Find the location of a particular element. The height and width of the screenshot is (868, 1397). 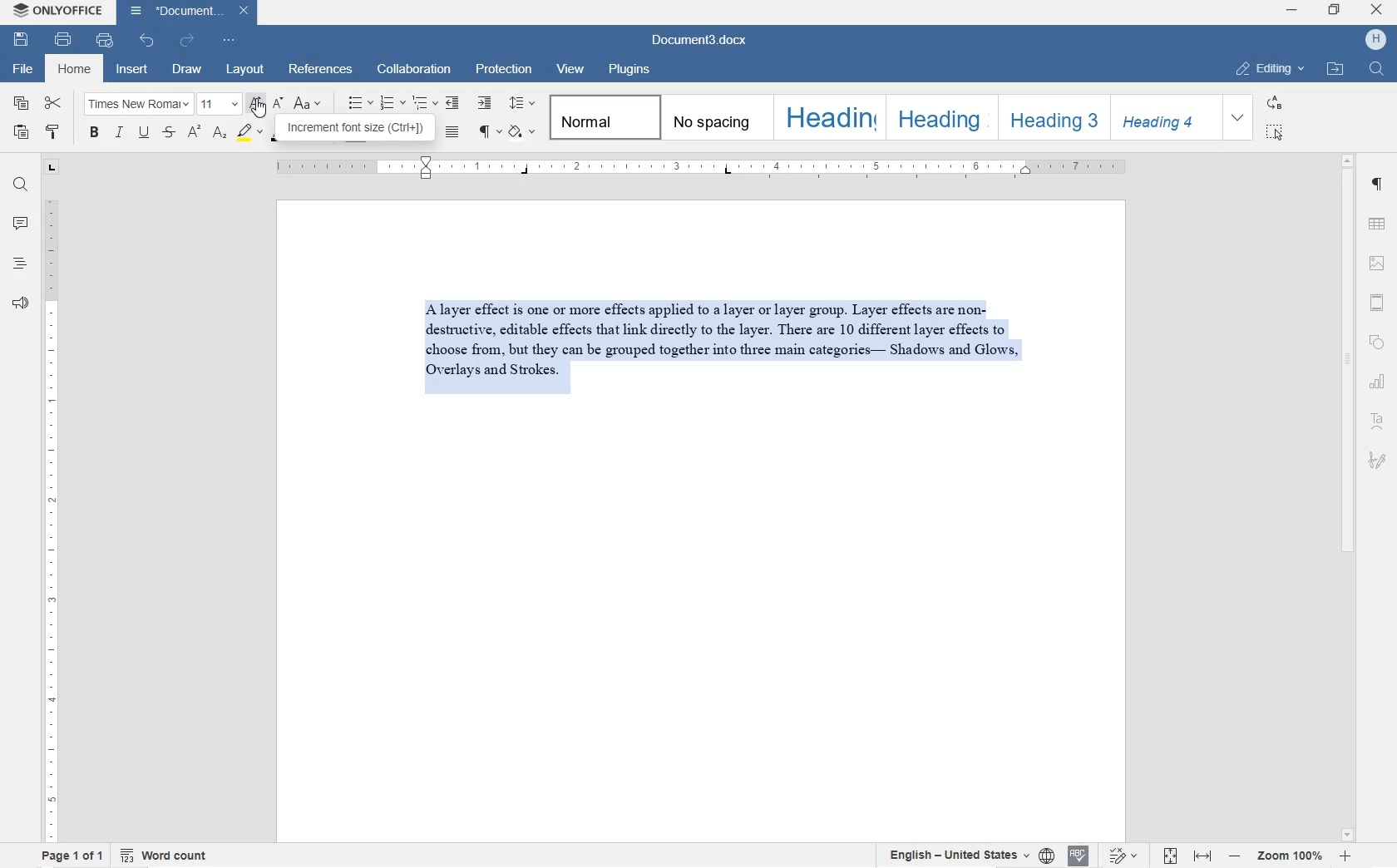

STRIKETHROUGH is located at coordinates (169, 133).